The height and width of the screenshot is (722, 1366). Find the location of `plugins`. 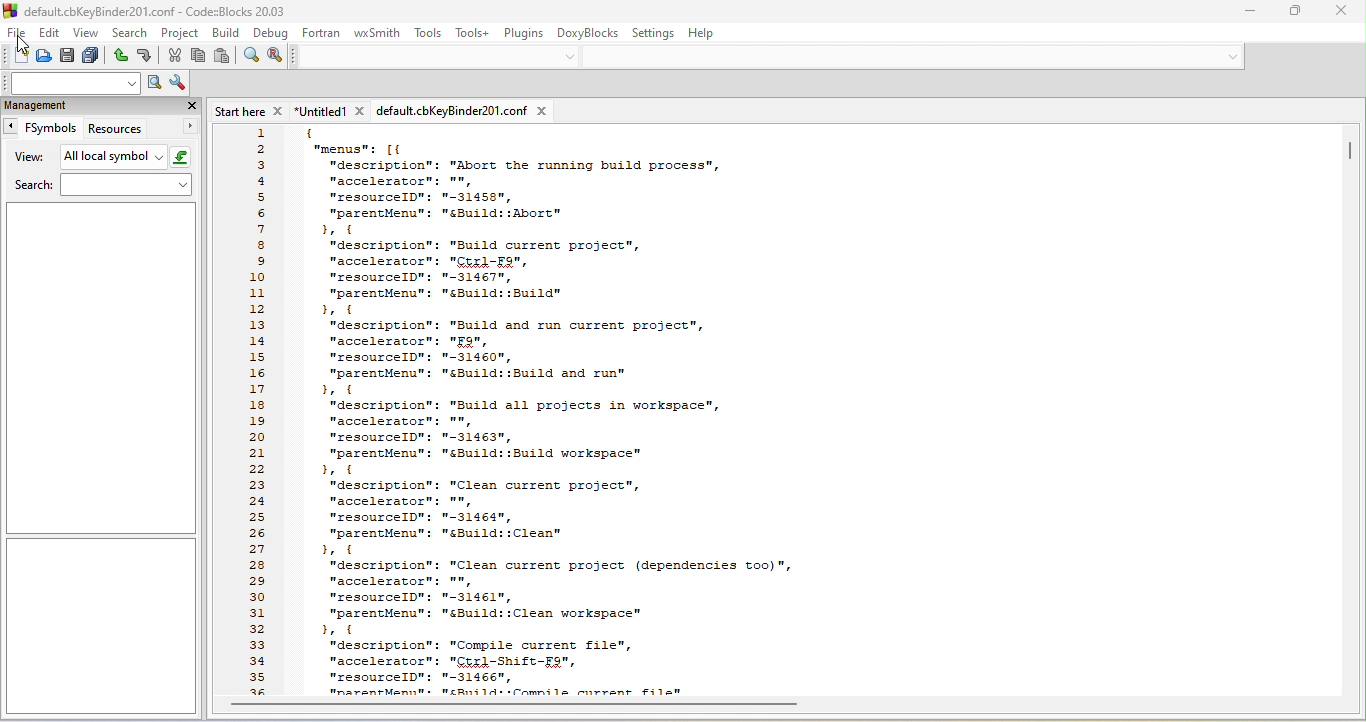

plugins is located at coordinates (525, 34).